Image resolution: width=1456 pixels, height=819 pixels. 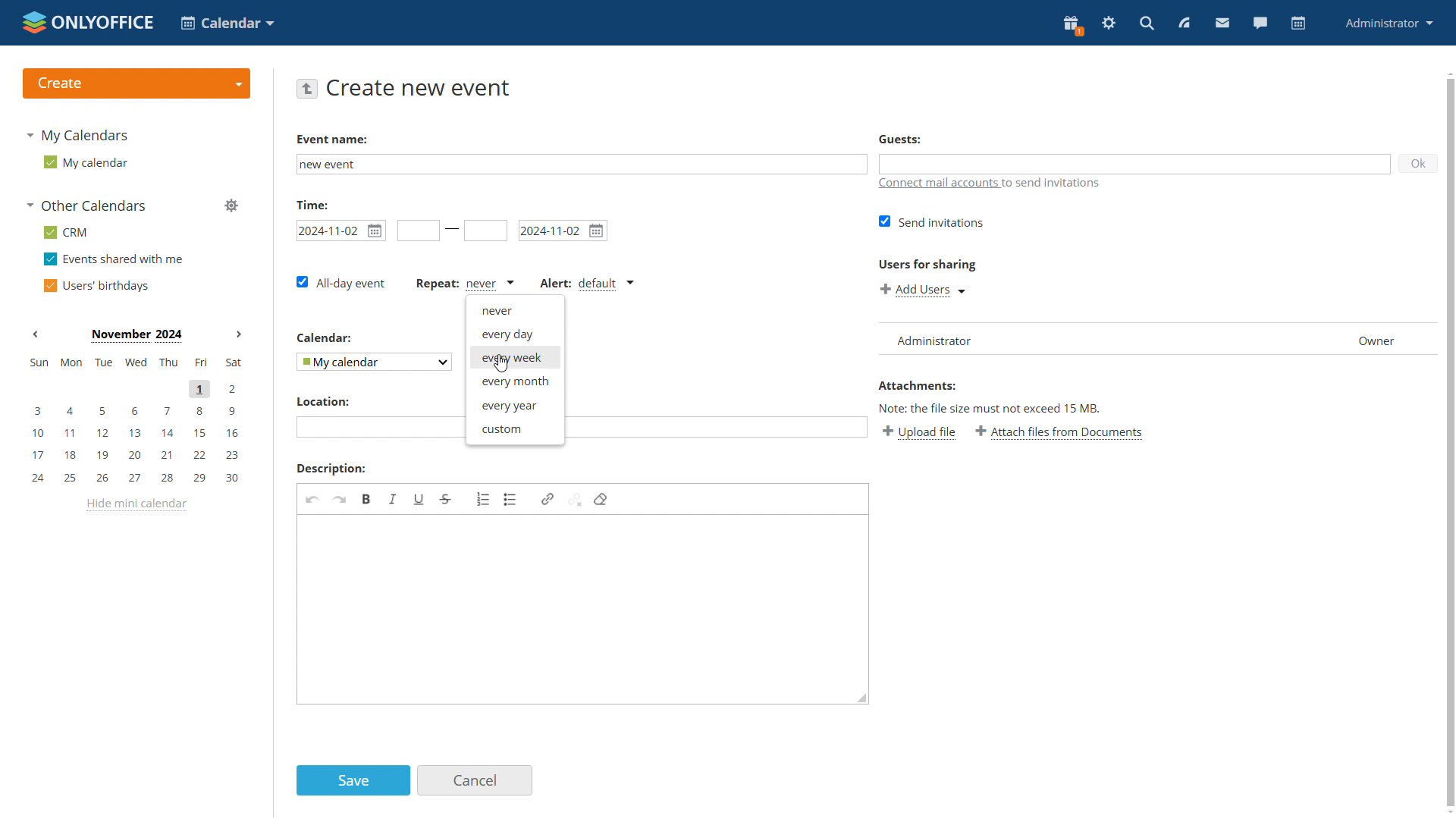 I want to click on send invitations, so click(x=928, y=222).